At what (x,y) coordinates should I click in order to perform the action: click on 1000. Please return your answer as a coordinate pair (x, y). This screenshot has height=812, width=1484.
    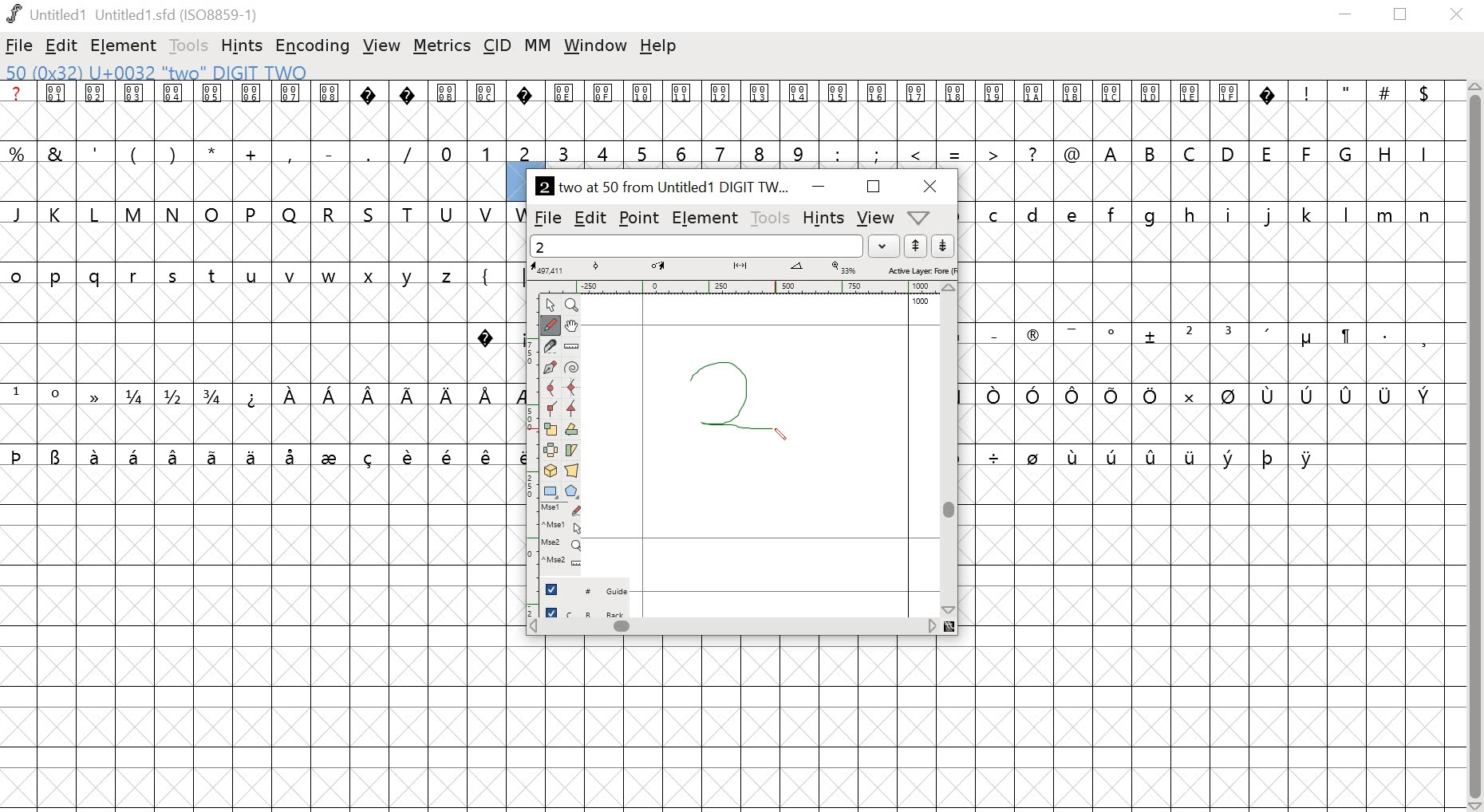
    Looking at the image, I should click on (921, 304).